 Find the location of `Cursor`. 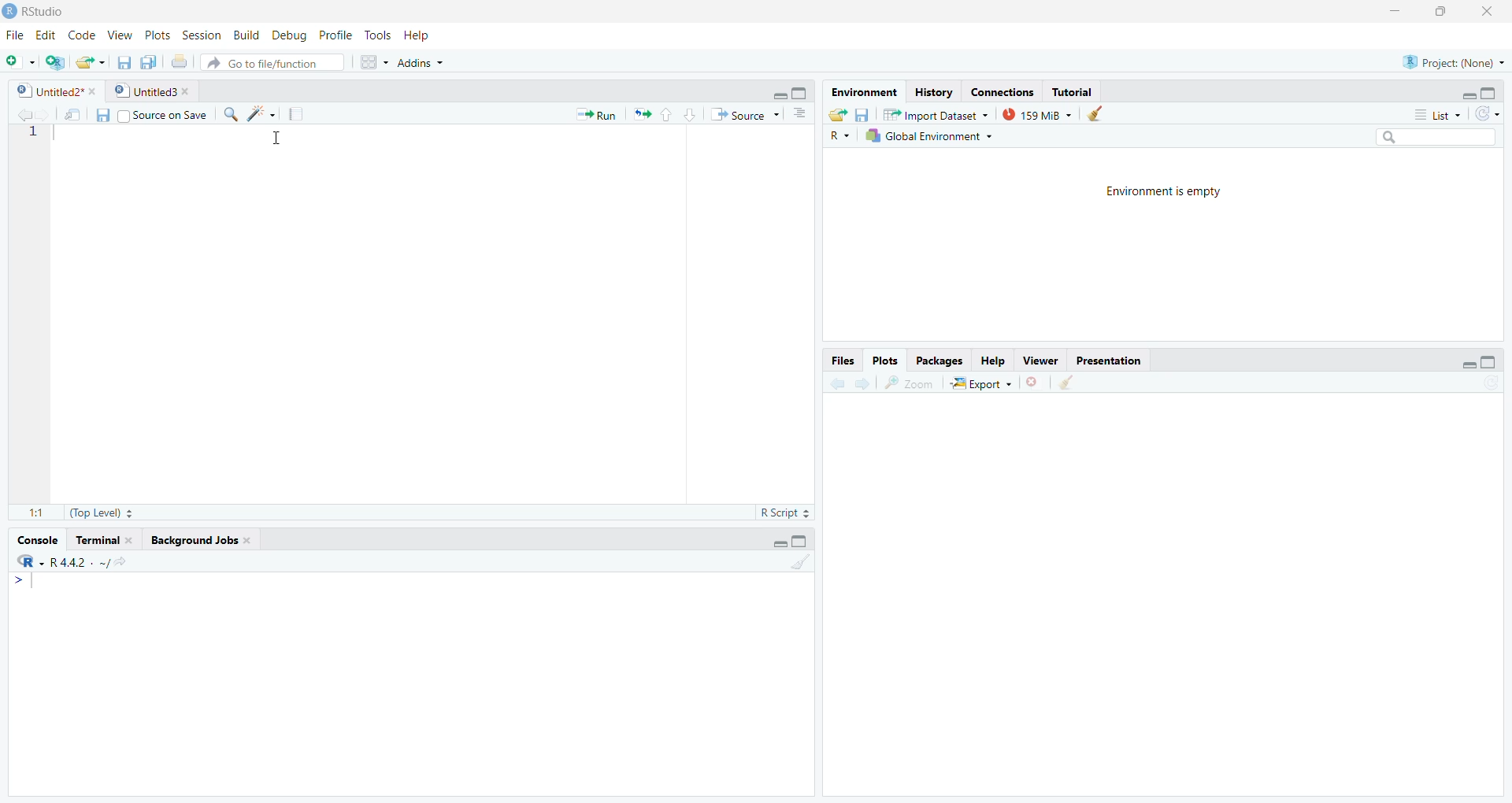

Cursor is located at coordinates (276, 139).